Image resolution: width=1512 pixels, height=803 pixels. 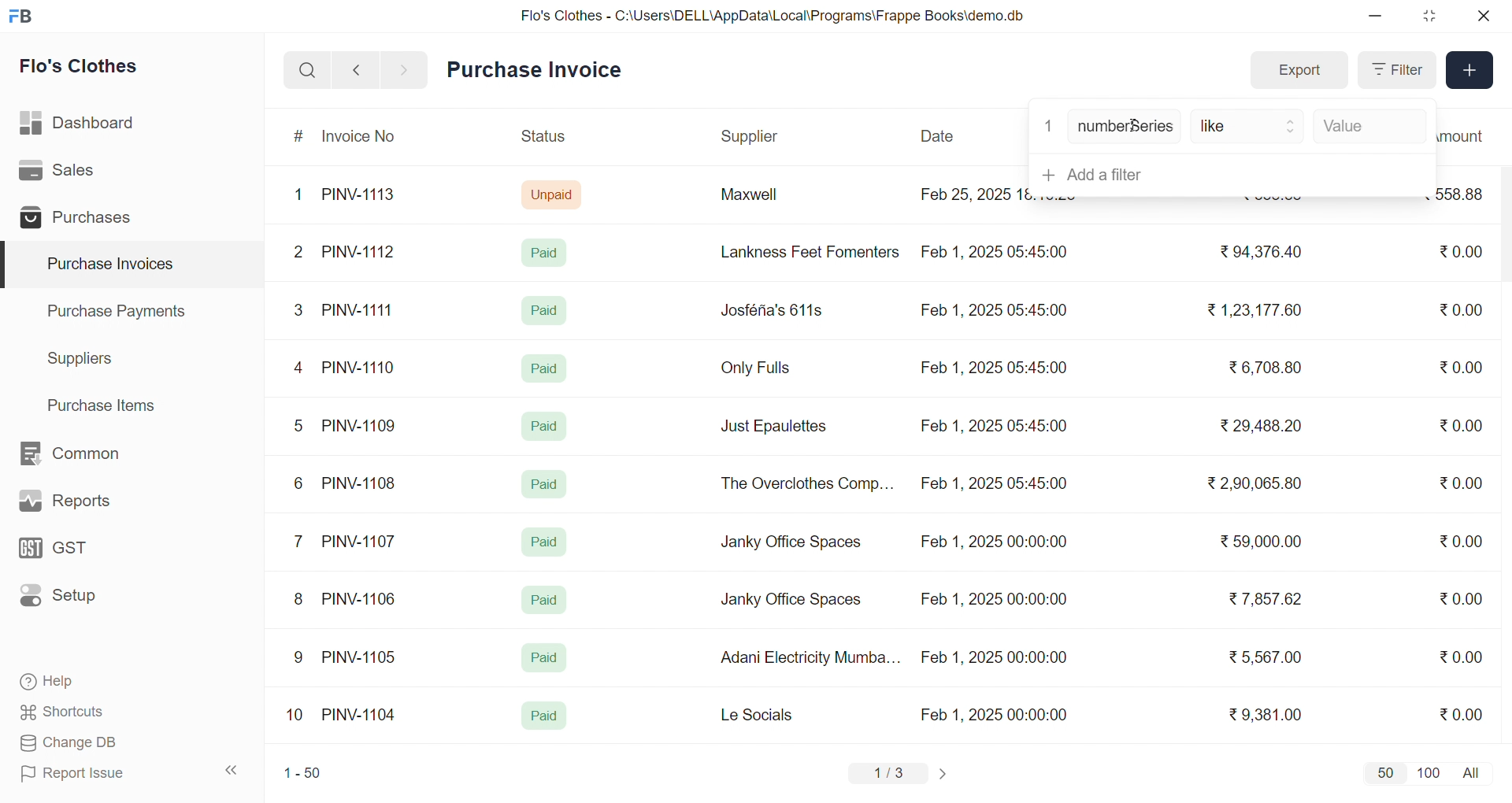 What do you see at coordinates (81, 220) in the screenshot?
I see `Purchases` at bounding box center [81, 220].